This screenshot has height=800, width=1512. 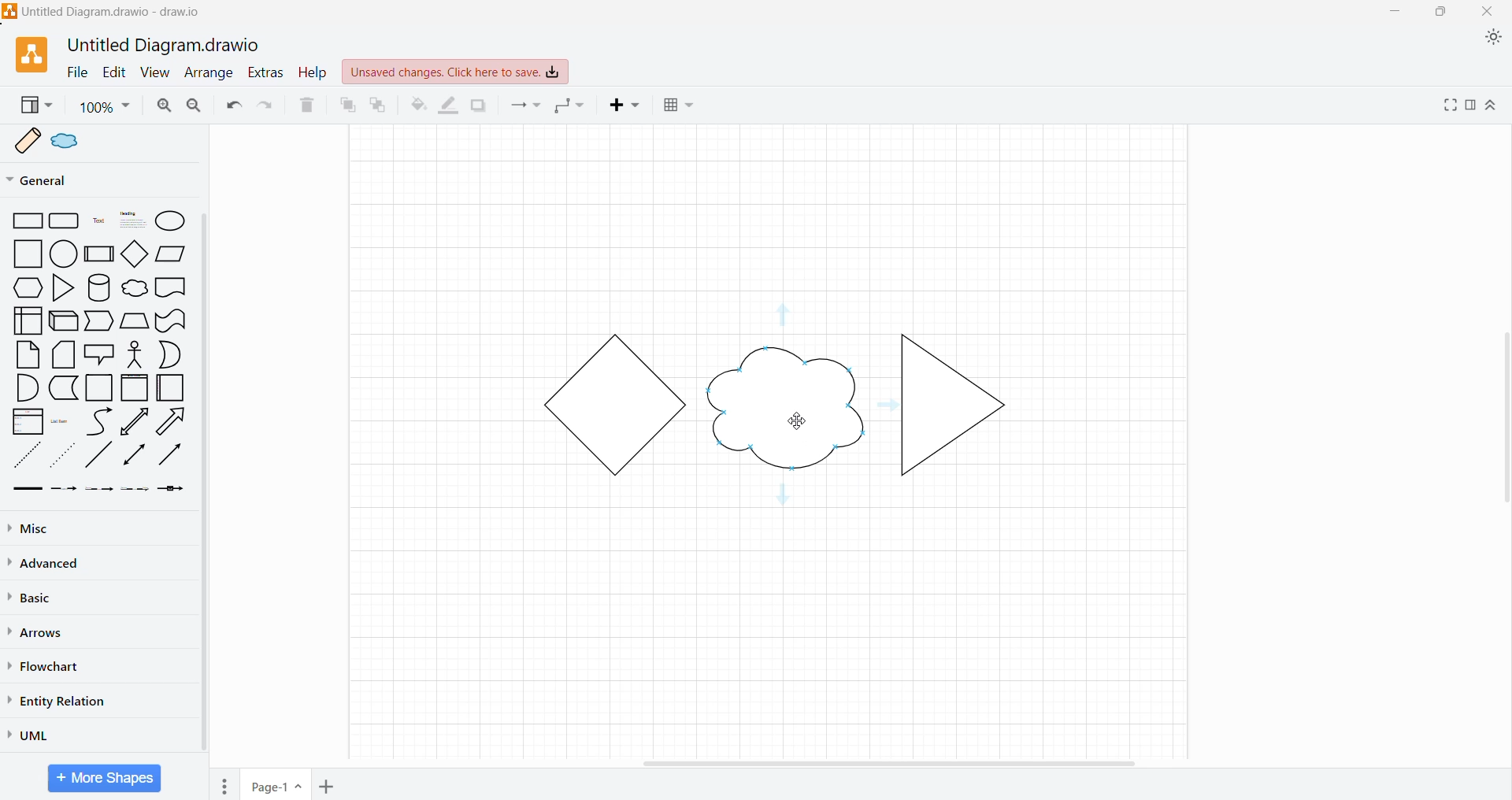 I want to click on Zoom Out, so click(x=196, y=106).